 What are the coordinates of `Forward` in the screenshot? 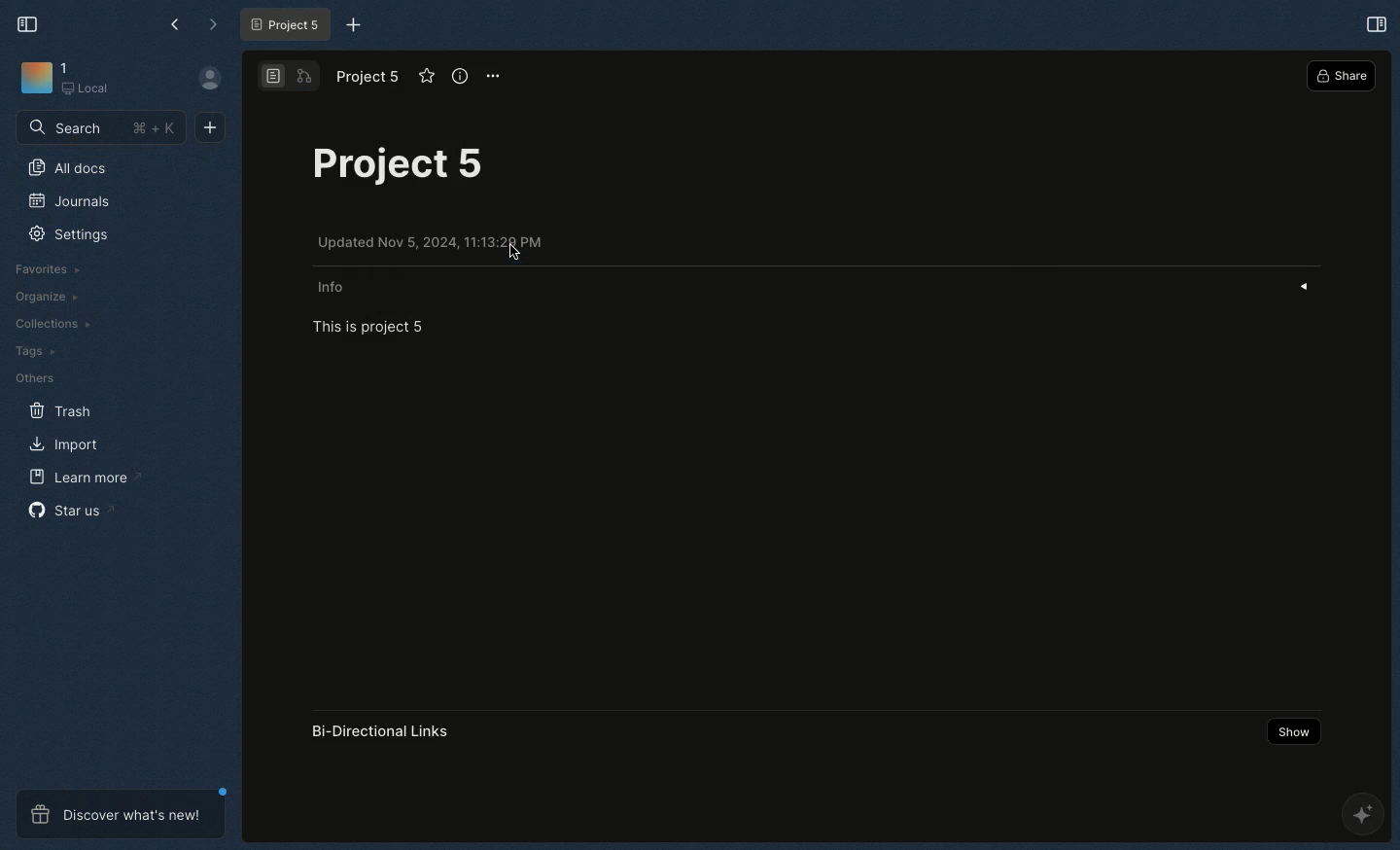 It's located at (209, 21).